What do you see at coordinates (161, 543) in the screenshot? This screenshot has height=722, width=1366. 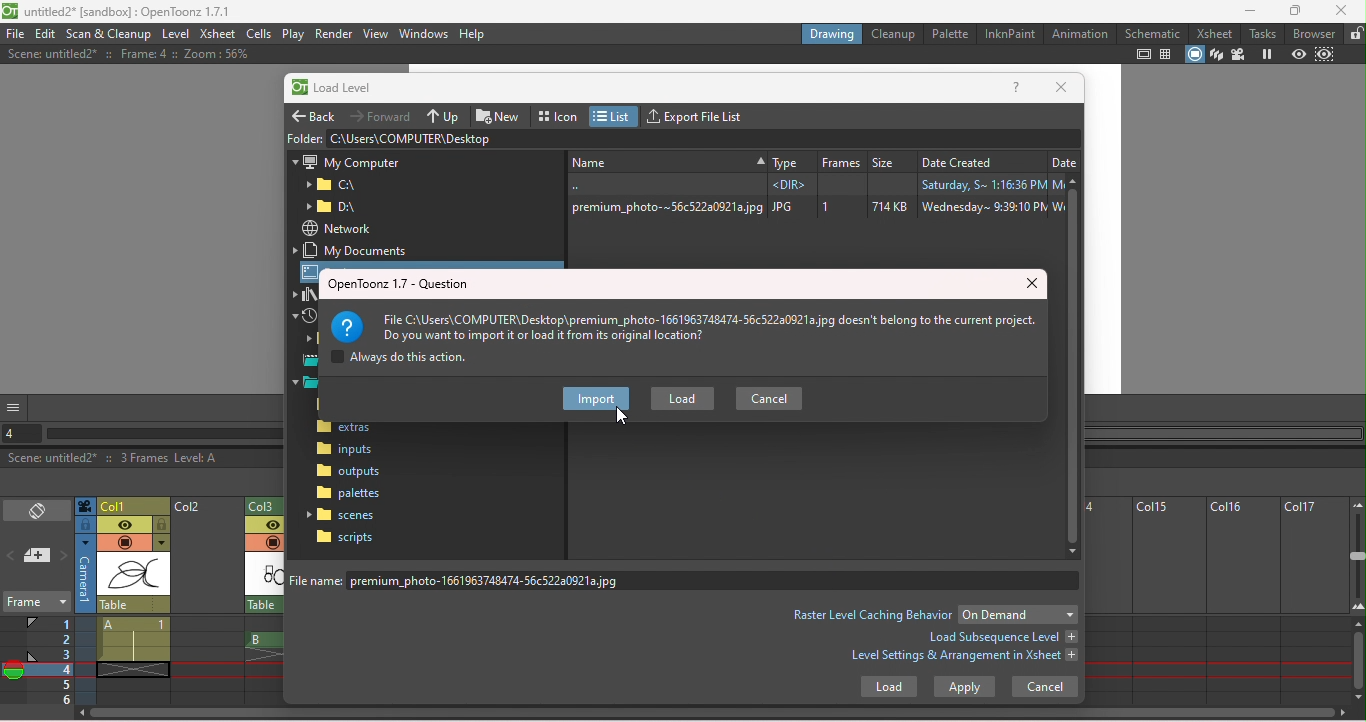 I see `Additional column setting` at bounding box center [161, 543].